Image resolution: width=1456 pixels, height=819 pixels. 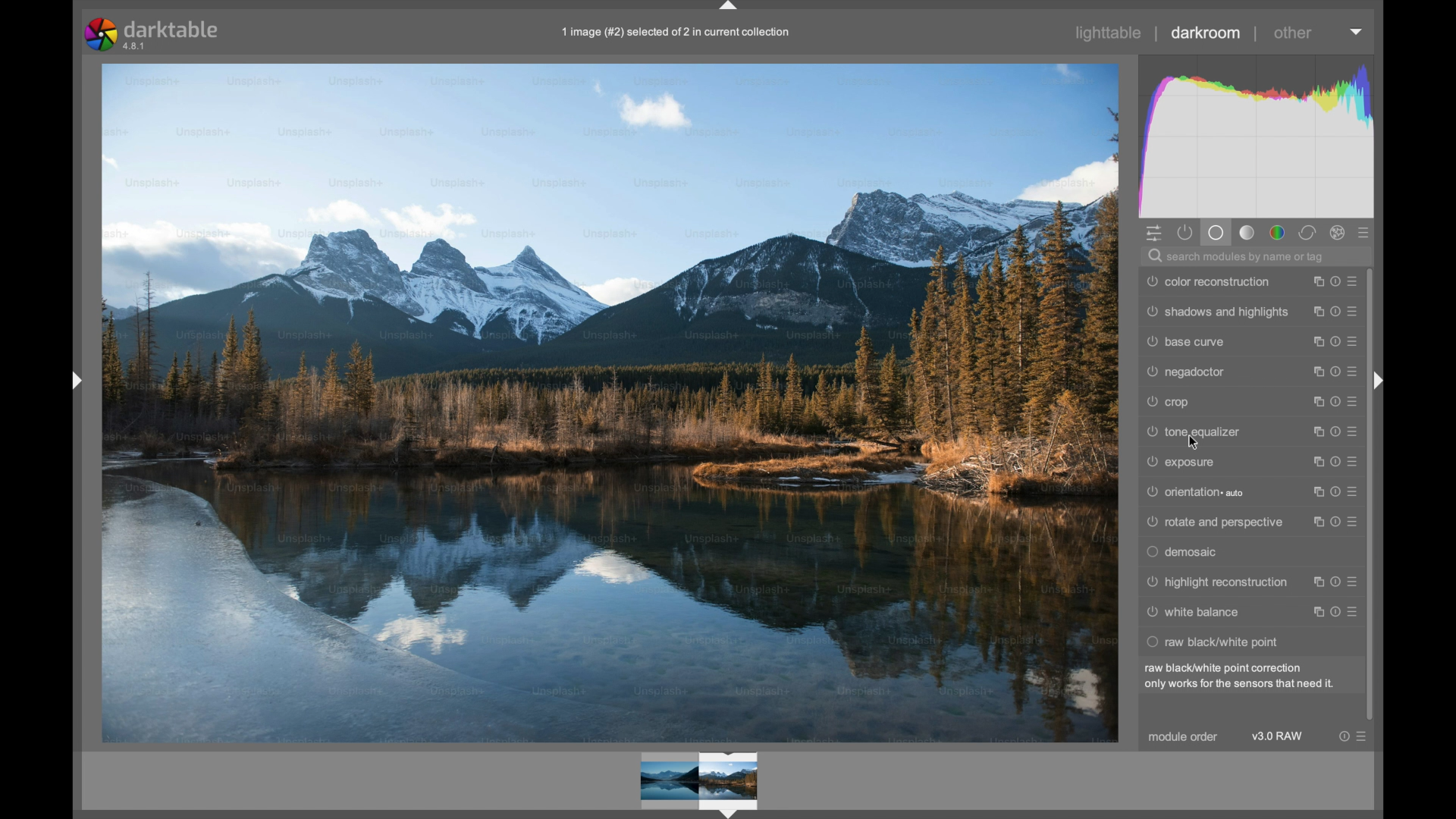 I want to click on presets, so click(x=1359, y=611).